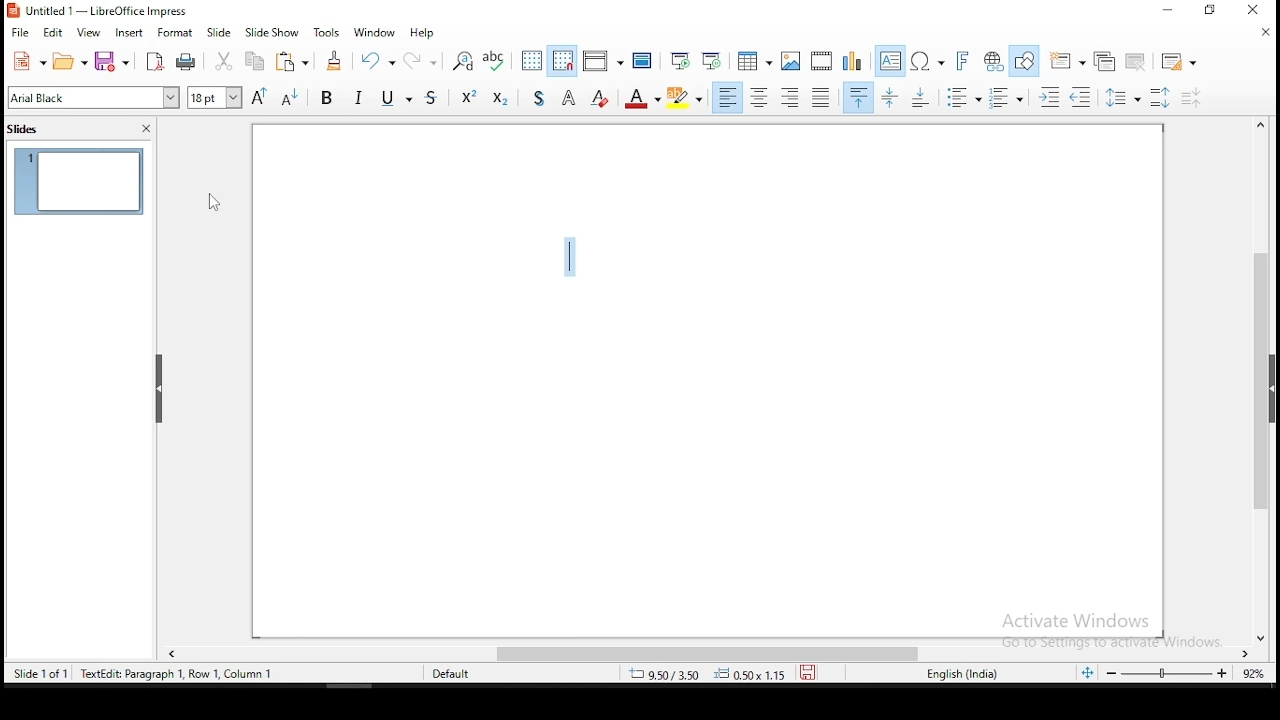 This screenshot has height=720, width=1280. Describe the element at coordinates (859, 97) in the screenshot. I see `Space below paragraph` at that location.